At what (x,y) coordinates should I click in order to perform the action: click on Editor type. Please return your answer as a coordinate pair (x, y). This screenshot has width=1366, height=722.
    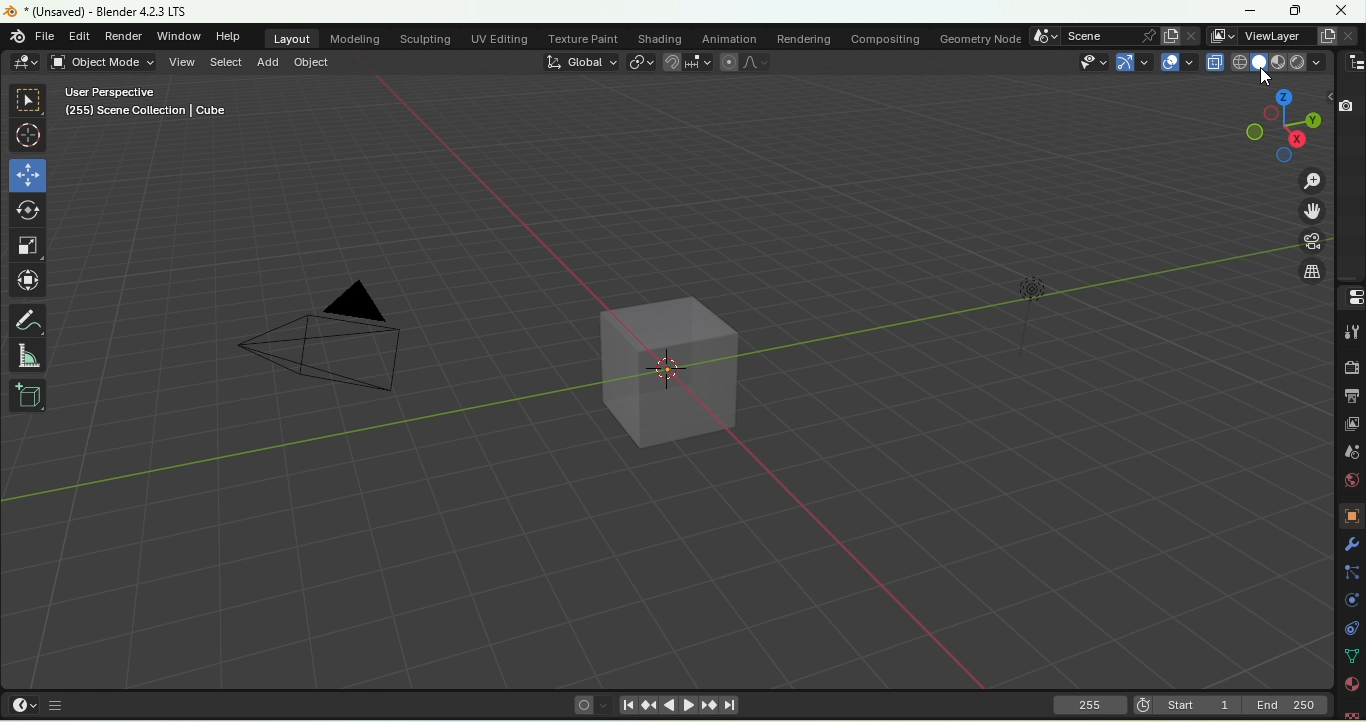
    Looking at the image, I should click on (1352, 63).